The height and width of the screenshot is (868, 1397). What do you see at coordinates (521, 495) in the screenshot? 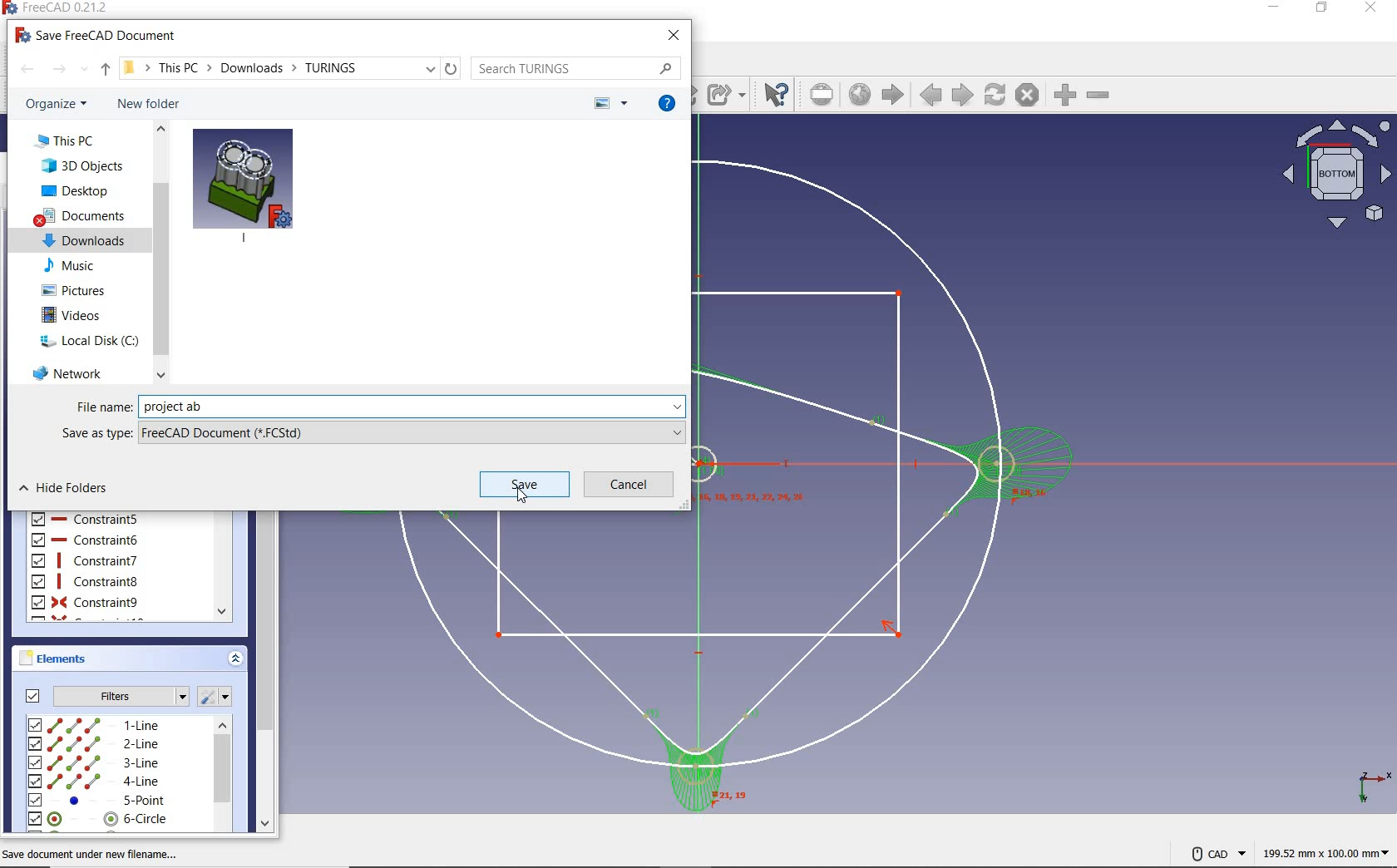
I see `cursor` at bounding box center [521, 495].